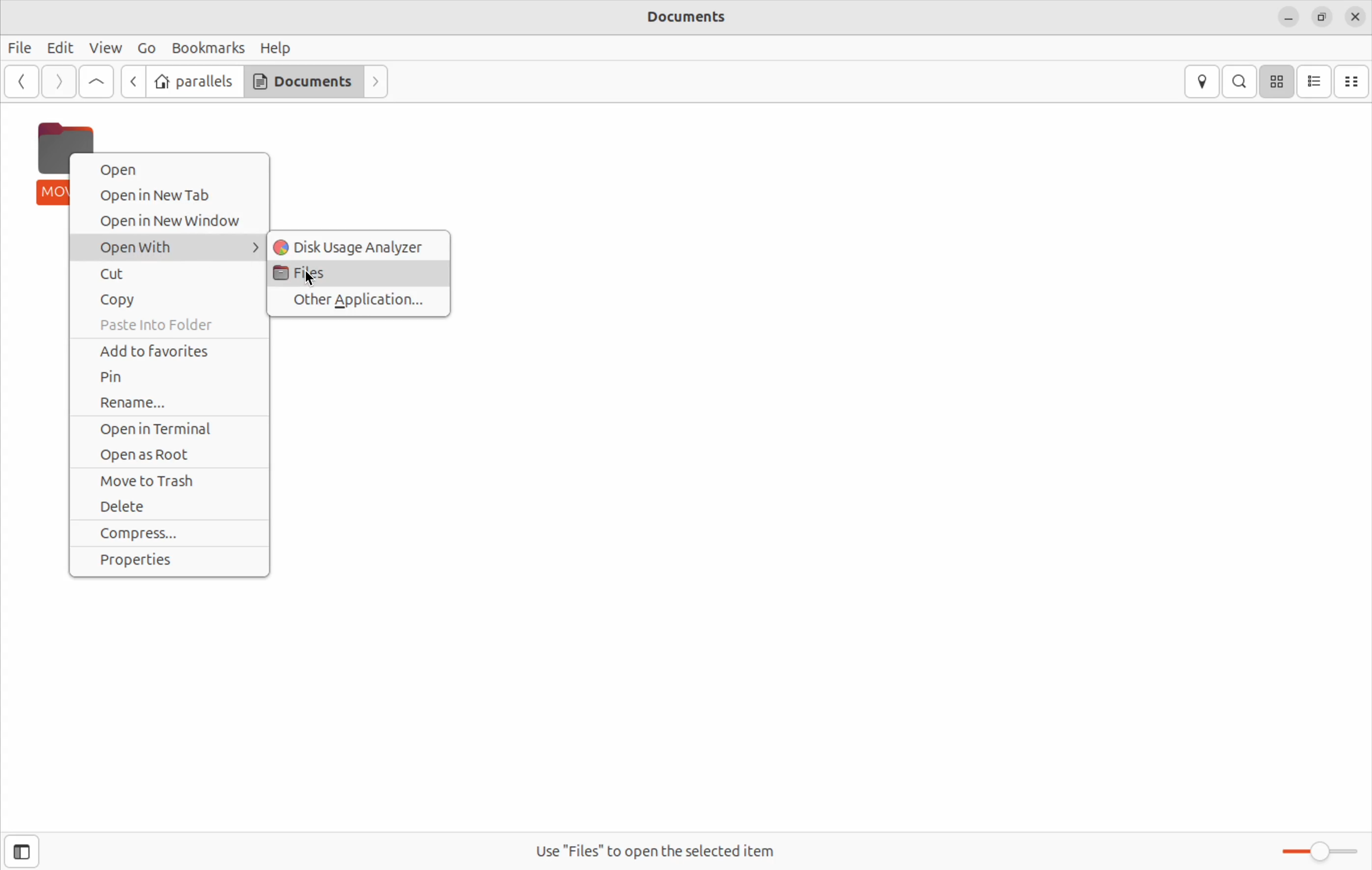 This screenshot has width=1372, height=870. I want to click on Documents, so click(699, 18).